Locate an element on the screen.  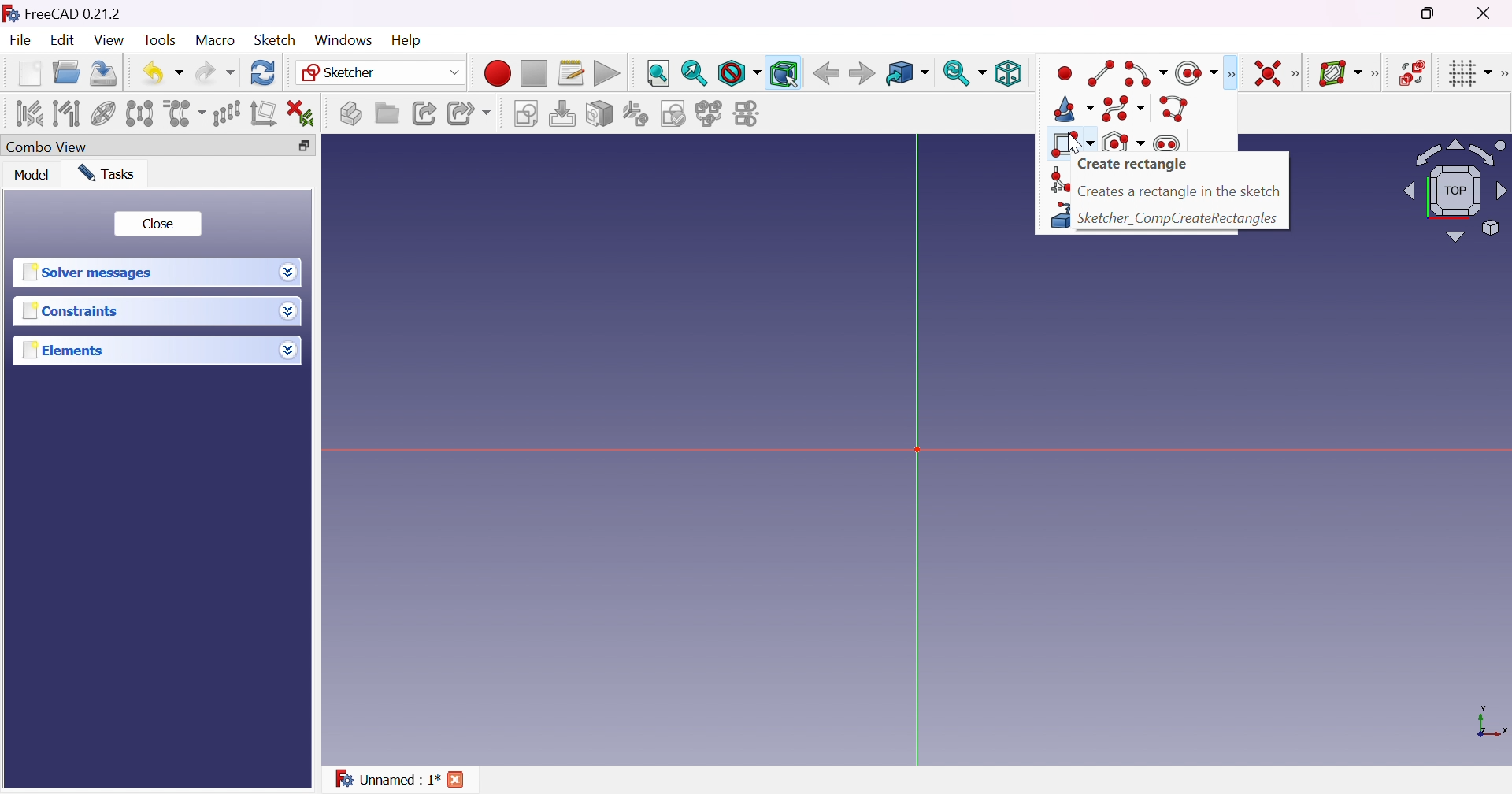
x, y axis is located at coordinates (1489, 723).